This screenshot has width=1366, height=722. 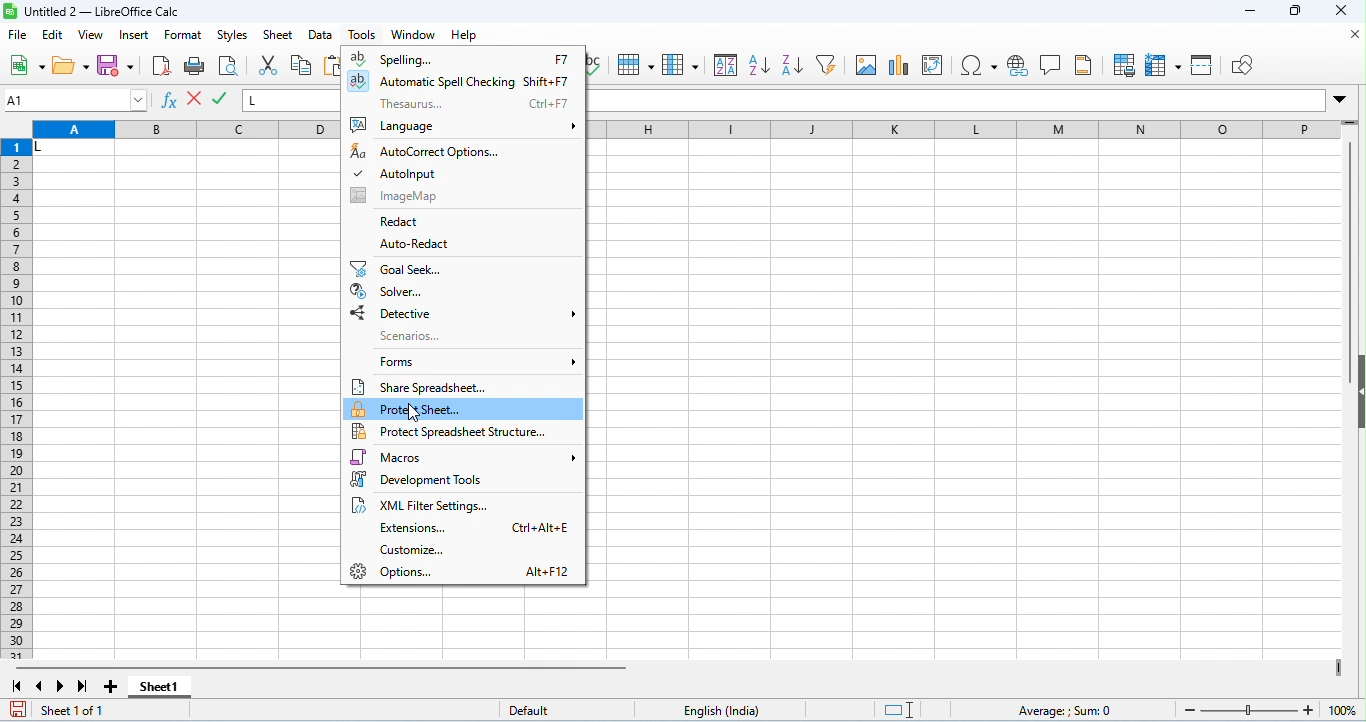 I want to click on insert hyperlink, so click(x=1019, y=66).